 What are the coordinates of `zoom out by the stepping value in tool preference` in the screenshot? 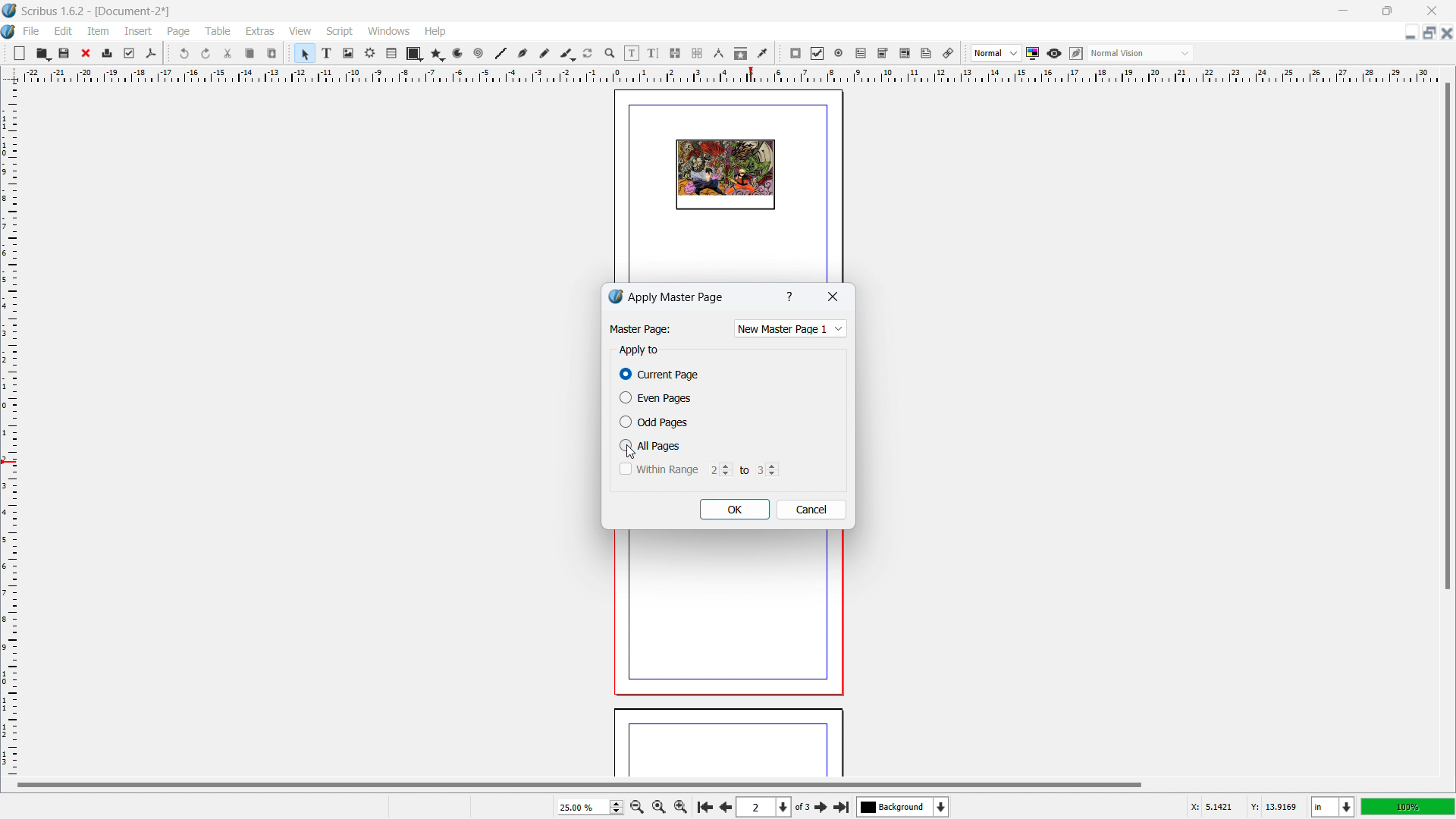 It's located at (636, 806).